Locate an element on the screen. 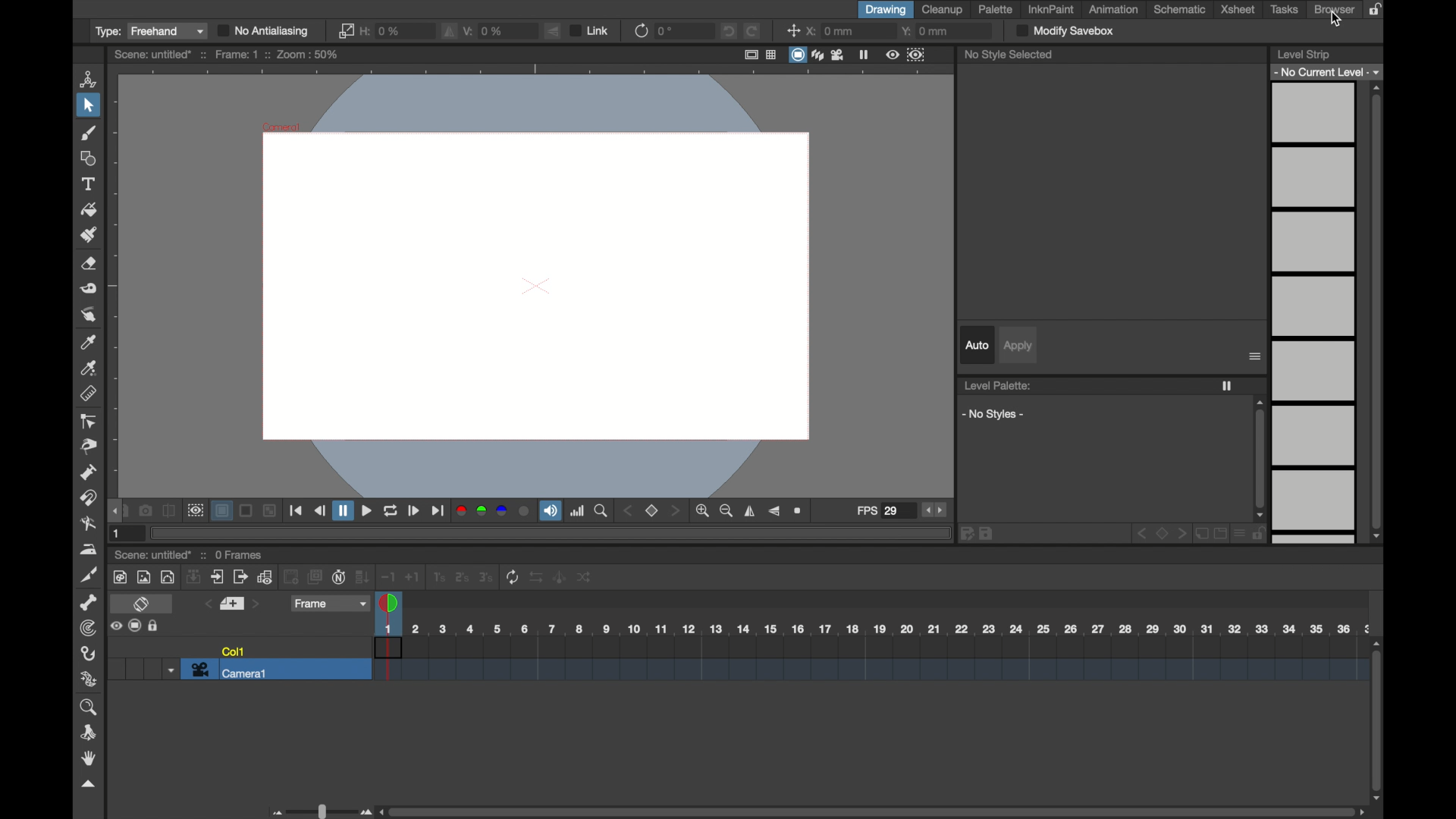 The image size is (1456, 819). center is located at coordinates (791, 30).